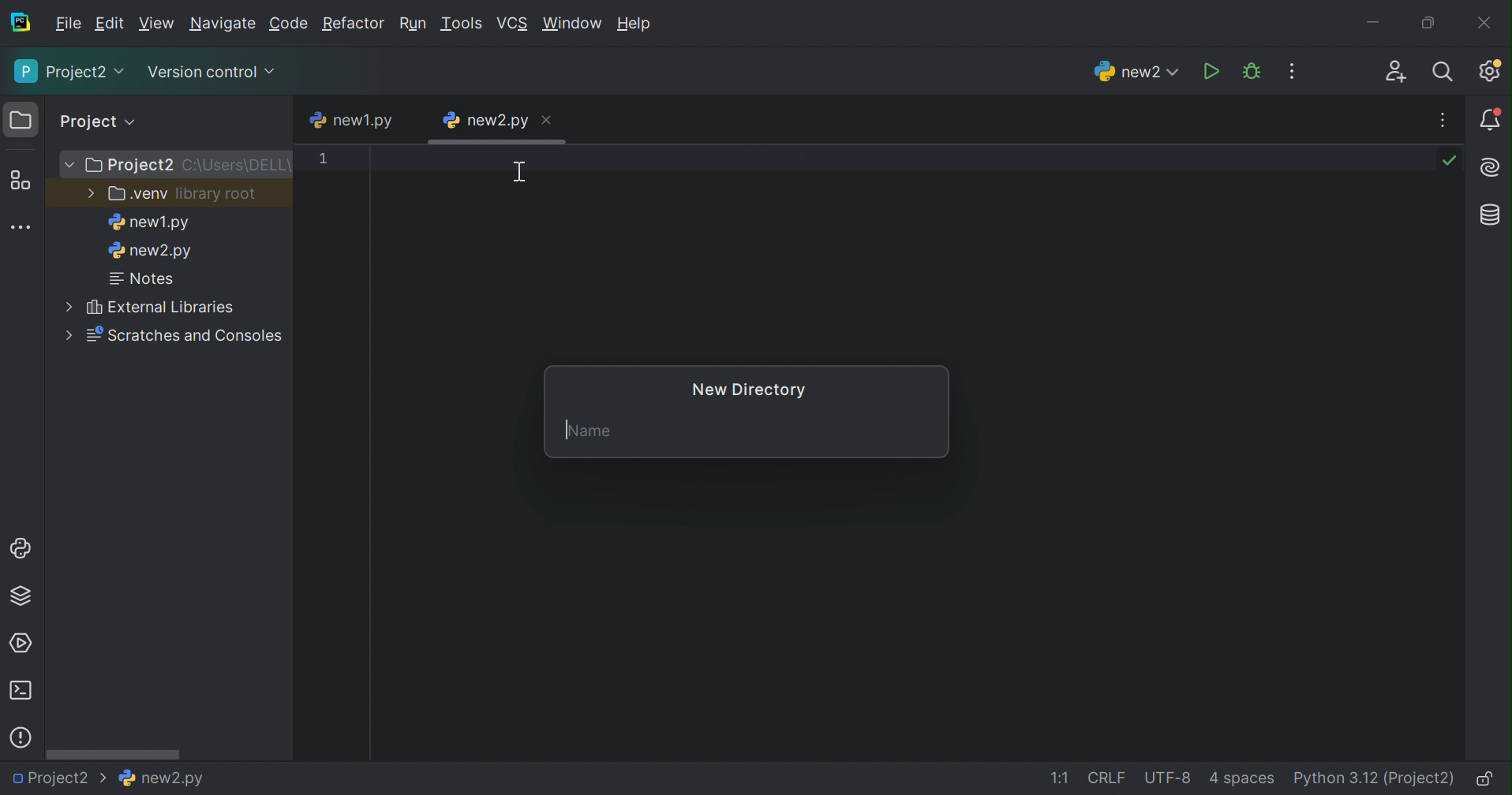 This screenshot has width=1512, height=795. Describe the element at coordinates (225, 24) in the screenshot. I see `Navigate` at that location.